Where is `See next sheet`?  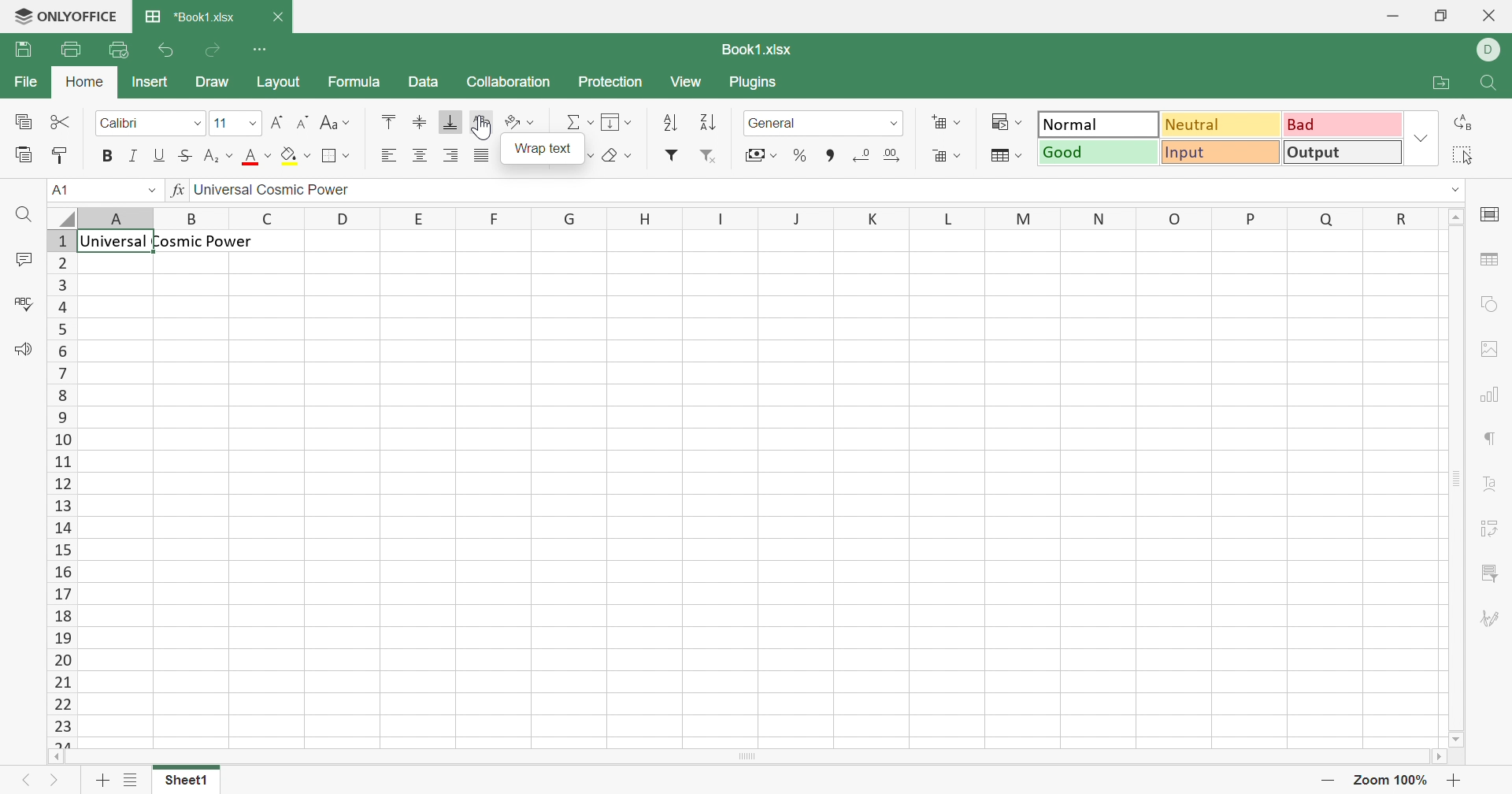
See next sheet is located at coordinates (59, 778).